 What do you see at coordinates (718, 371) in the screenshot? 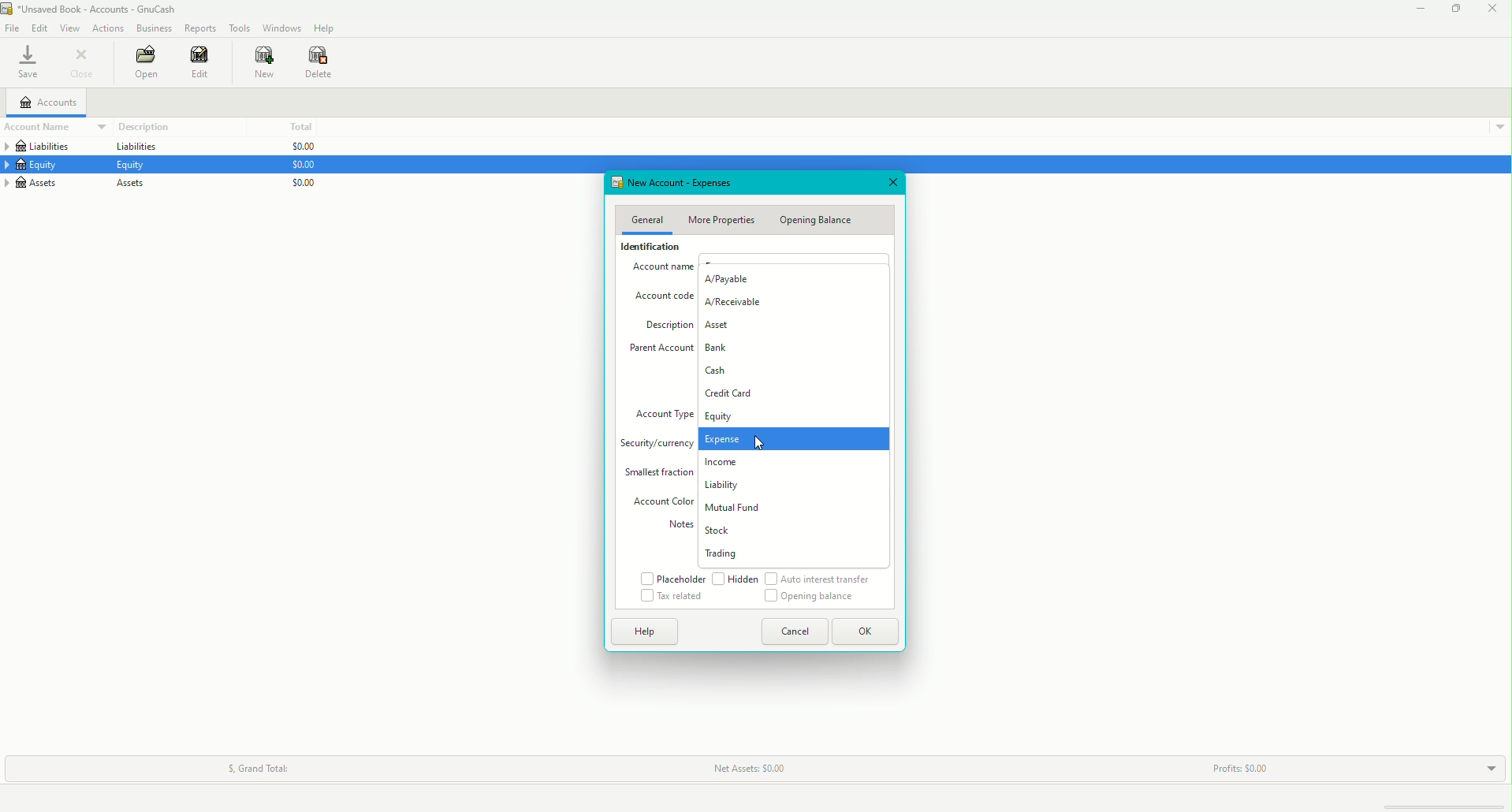
I see `Cash` at bounding box center [718, 371].